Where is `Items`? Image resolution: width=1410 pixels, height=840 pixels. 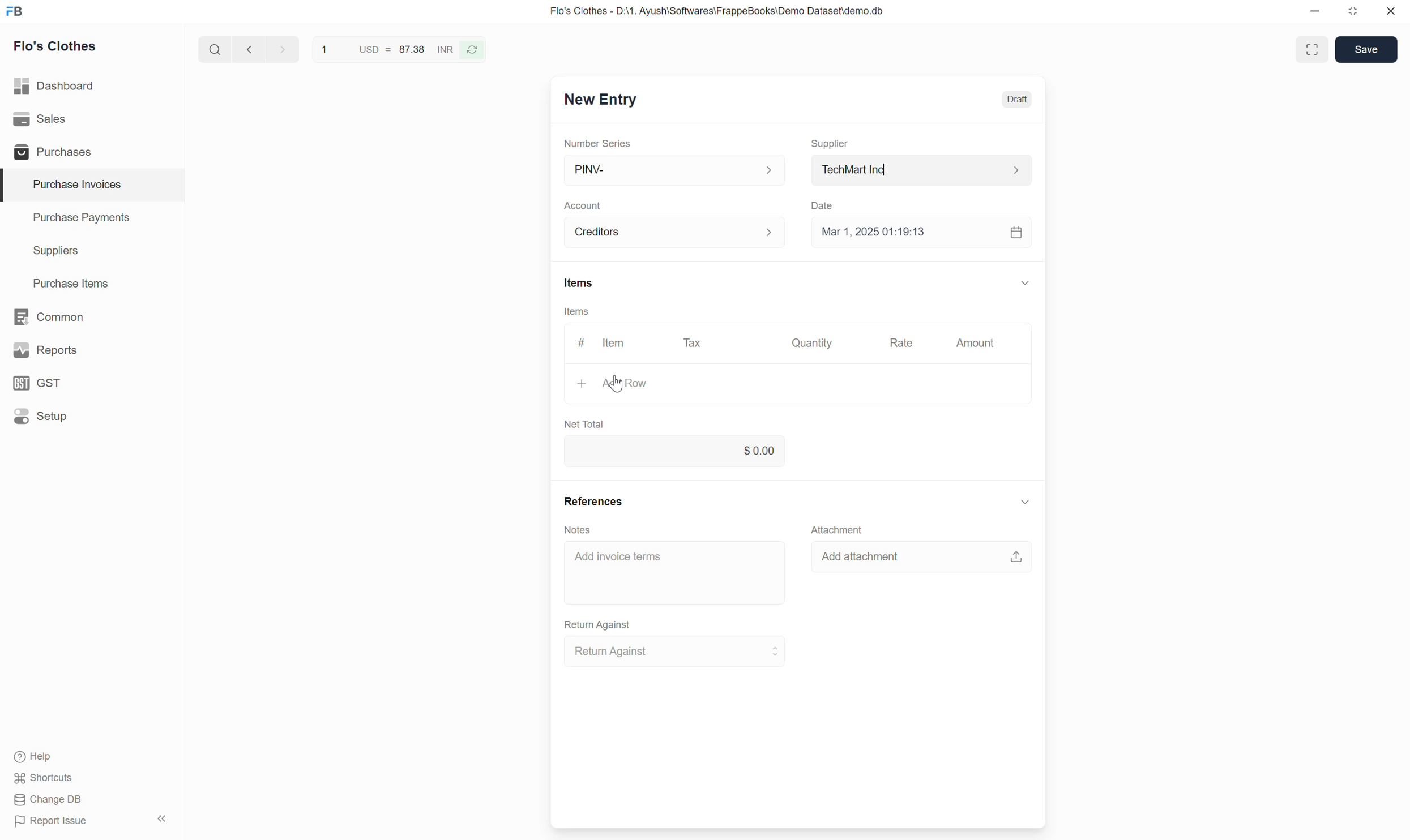
Items is located at coordinates (578, 283).